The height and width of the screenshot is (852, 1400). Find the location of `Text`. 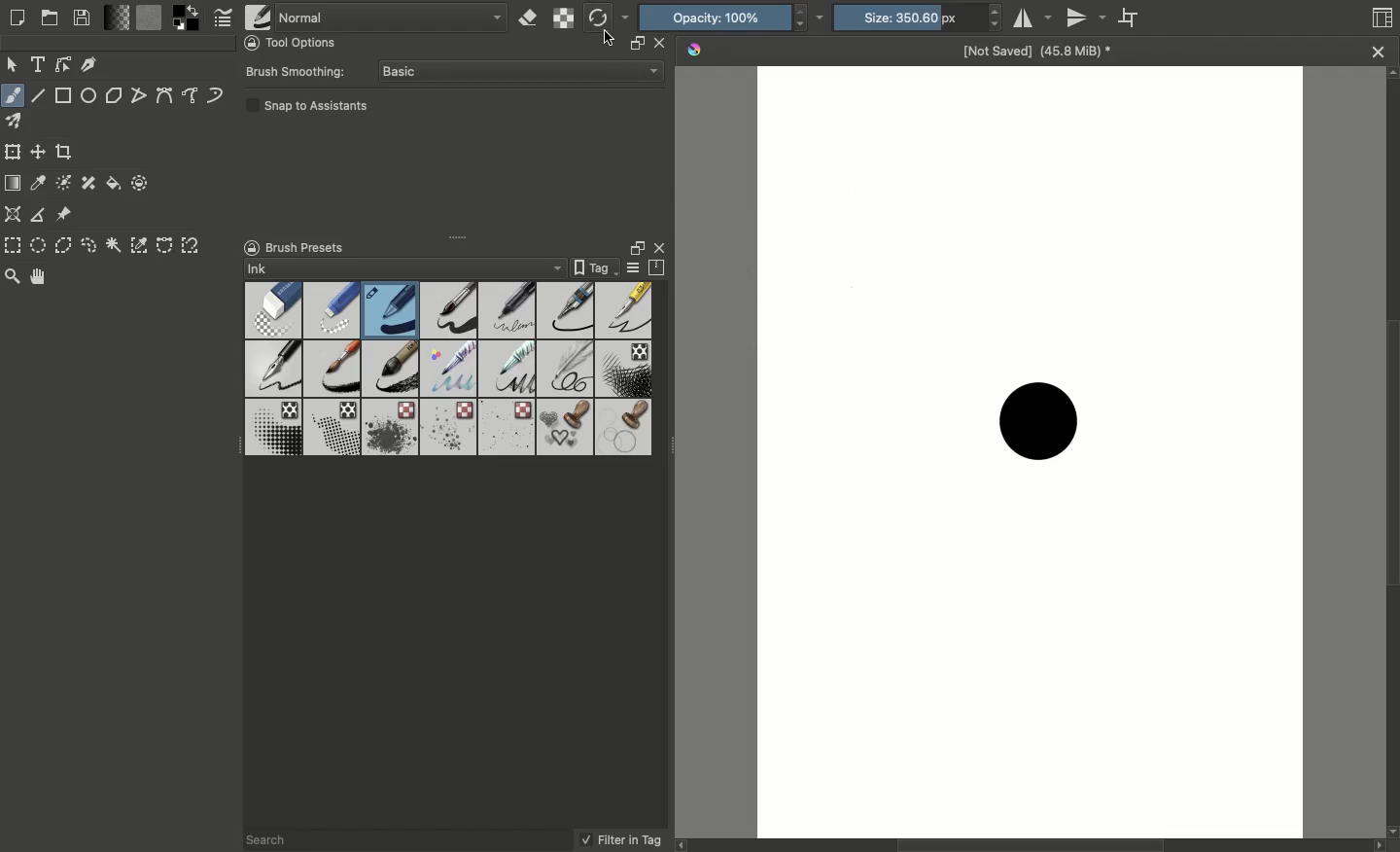

Text is located at coordinates (40, 64).